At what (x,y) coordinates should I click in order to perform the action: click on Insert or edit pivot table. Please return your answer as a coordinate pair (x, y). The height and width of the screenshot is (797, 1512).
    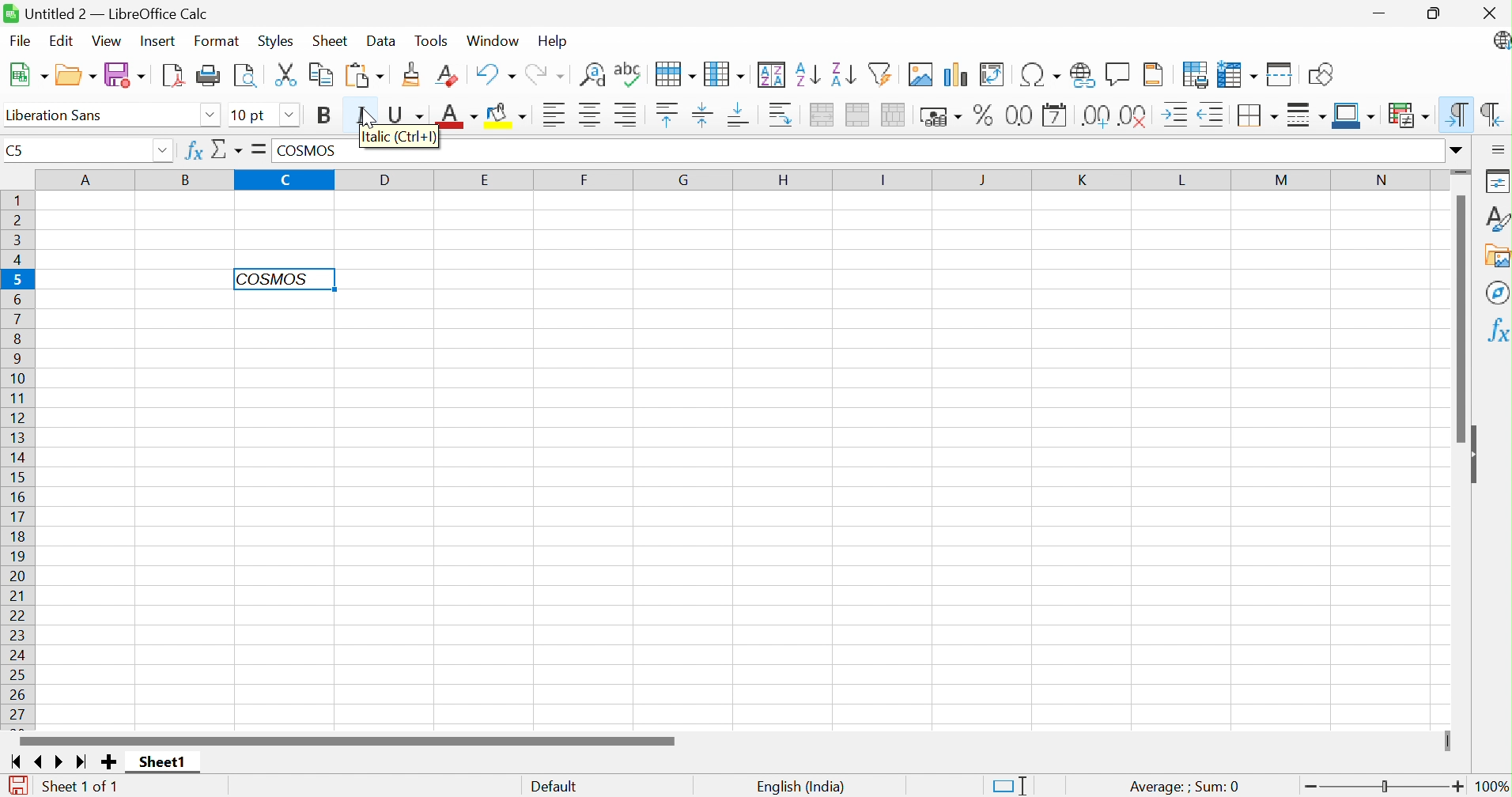
    Looking at the image, I should click on (992, 74).